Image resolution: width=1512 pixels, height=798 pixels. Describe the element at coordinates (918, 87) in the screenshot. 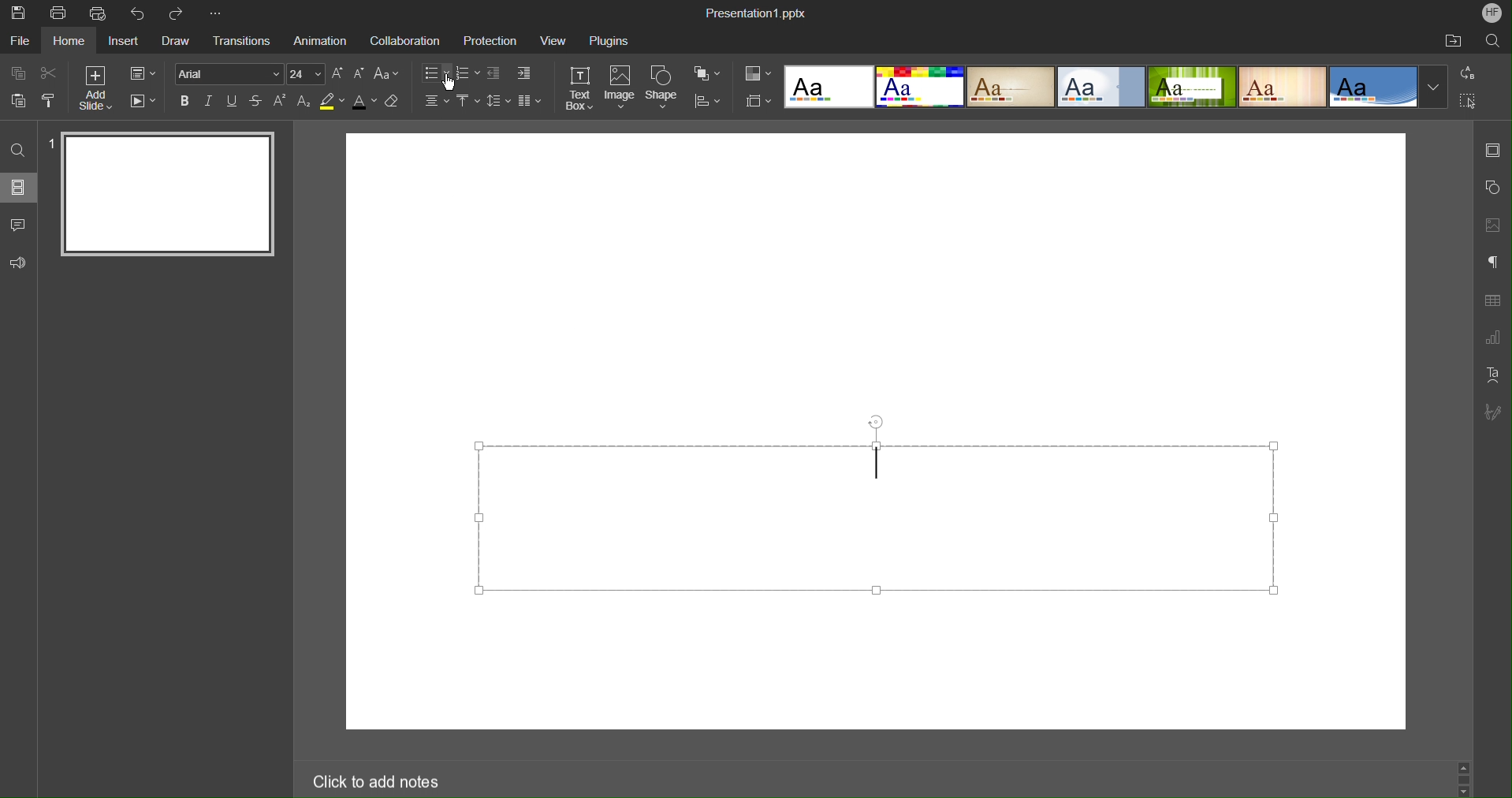

I see `template` at that location.